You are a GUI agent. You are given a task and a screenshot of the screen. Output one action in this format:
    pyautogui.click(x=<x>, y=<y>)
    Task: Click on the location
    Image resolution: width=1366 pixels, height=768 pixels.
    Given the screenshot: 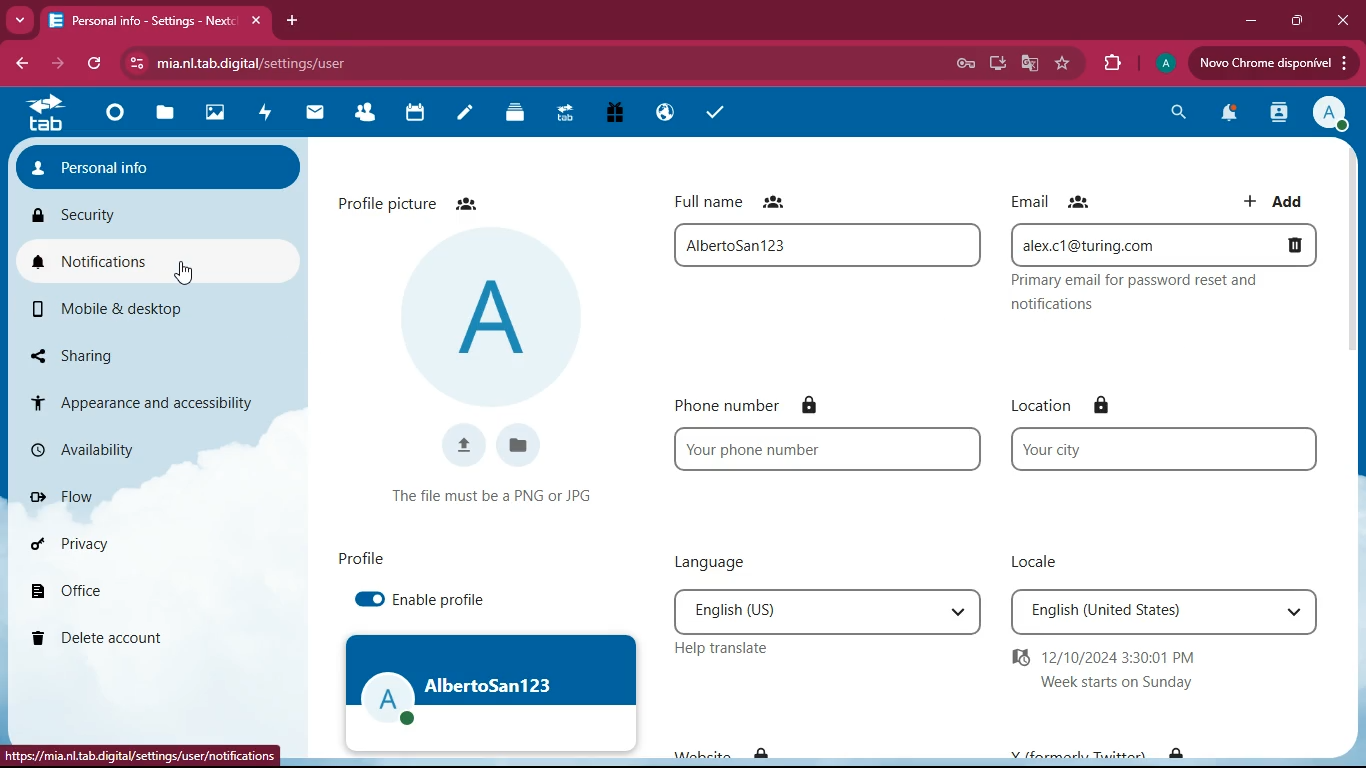 What is the action you would take?
    pyautogui.click(x=1164, y=449)
    